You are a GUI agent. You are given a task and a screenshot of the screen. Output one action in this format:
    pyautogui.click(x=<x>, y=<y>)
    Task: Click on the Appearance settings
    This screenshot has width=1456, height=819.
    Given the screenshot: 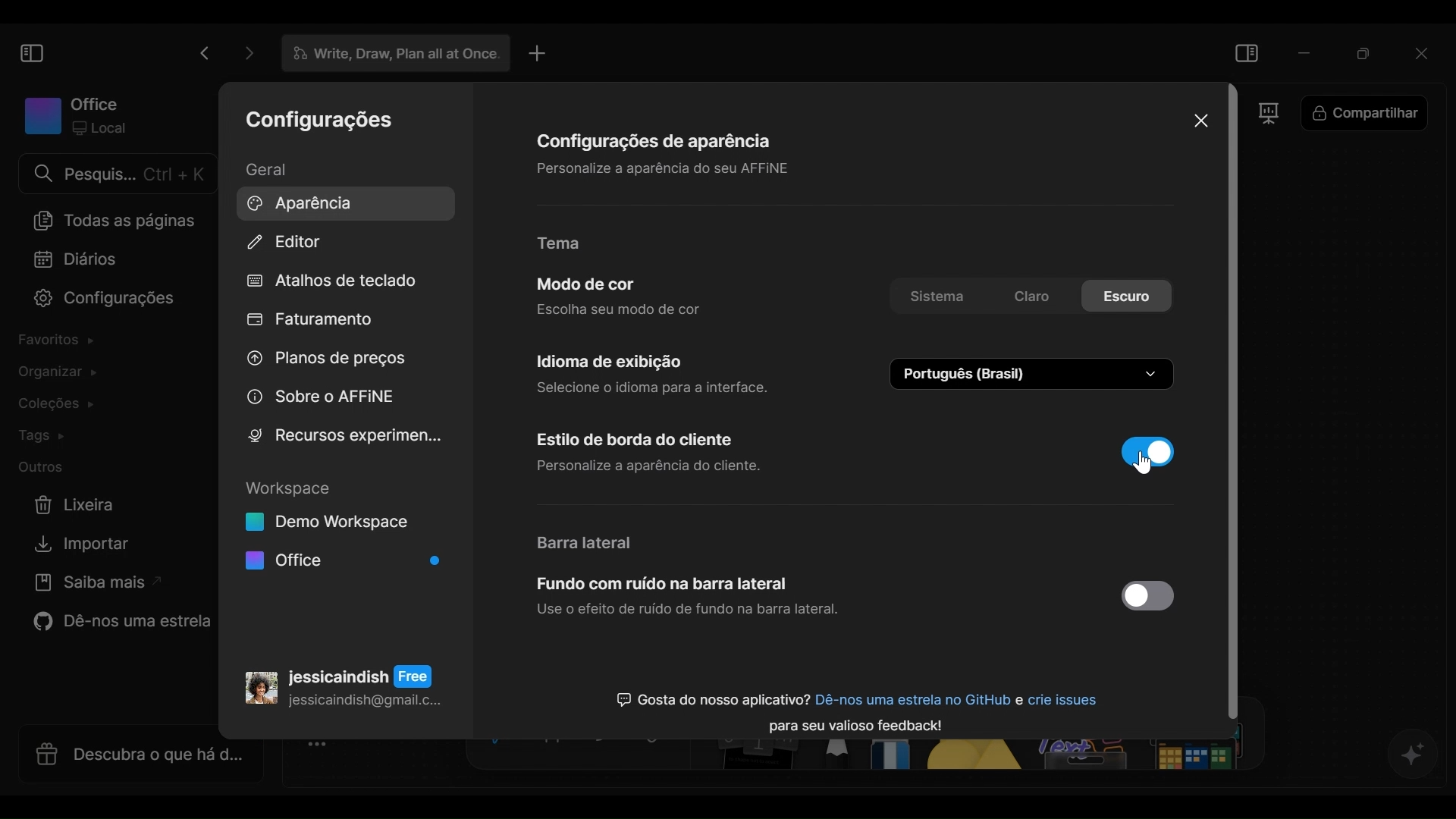 What is the action you would take?
    pyautogui.click(x=656, y=152)
    